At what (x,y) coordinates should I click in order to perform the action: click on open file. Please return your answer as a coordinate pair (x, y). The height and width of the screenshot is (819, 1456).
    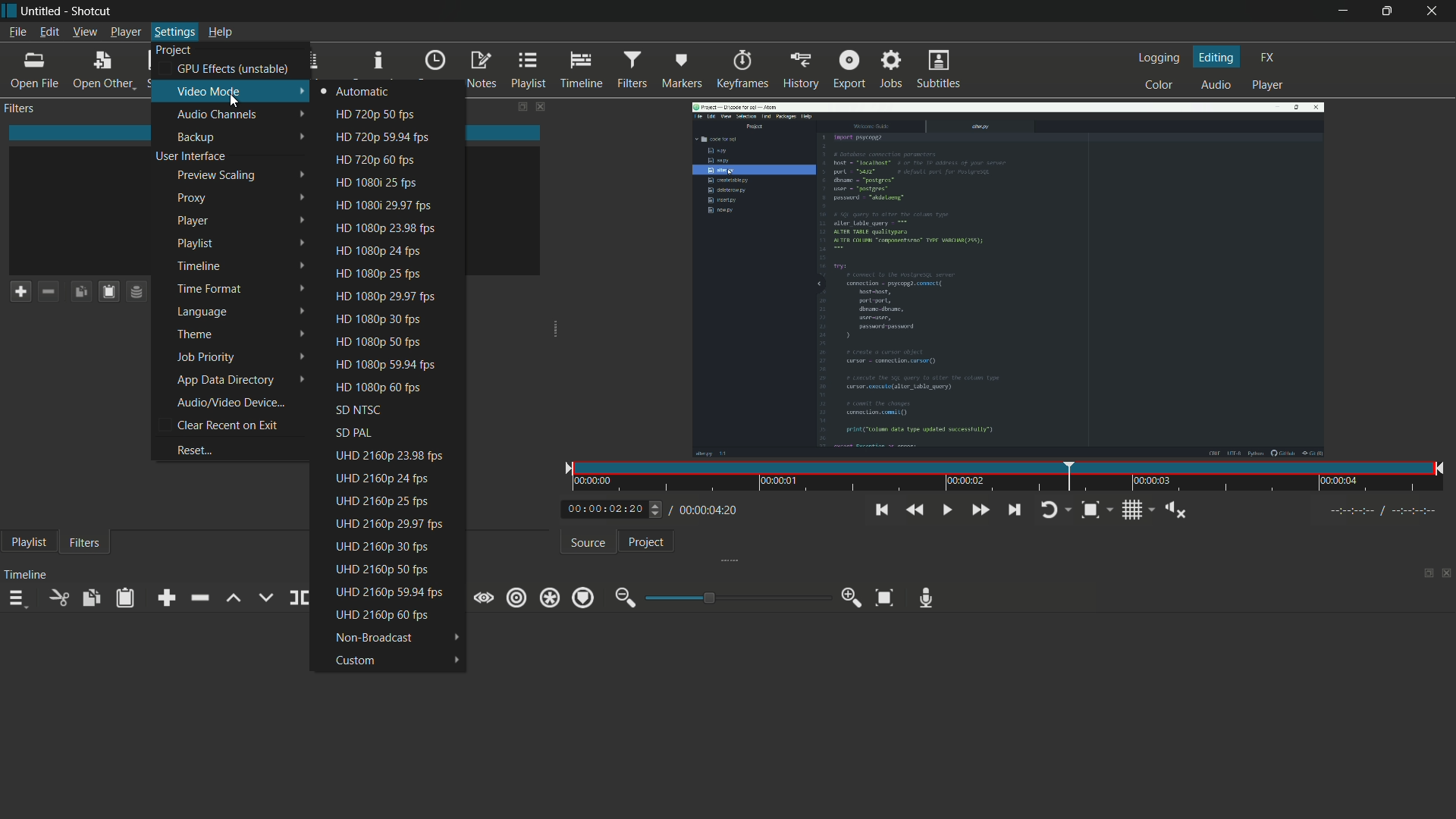
    Looking at the image, I should click on (35, 71).